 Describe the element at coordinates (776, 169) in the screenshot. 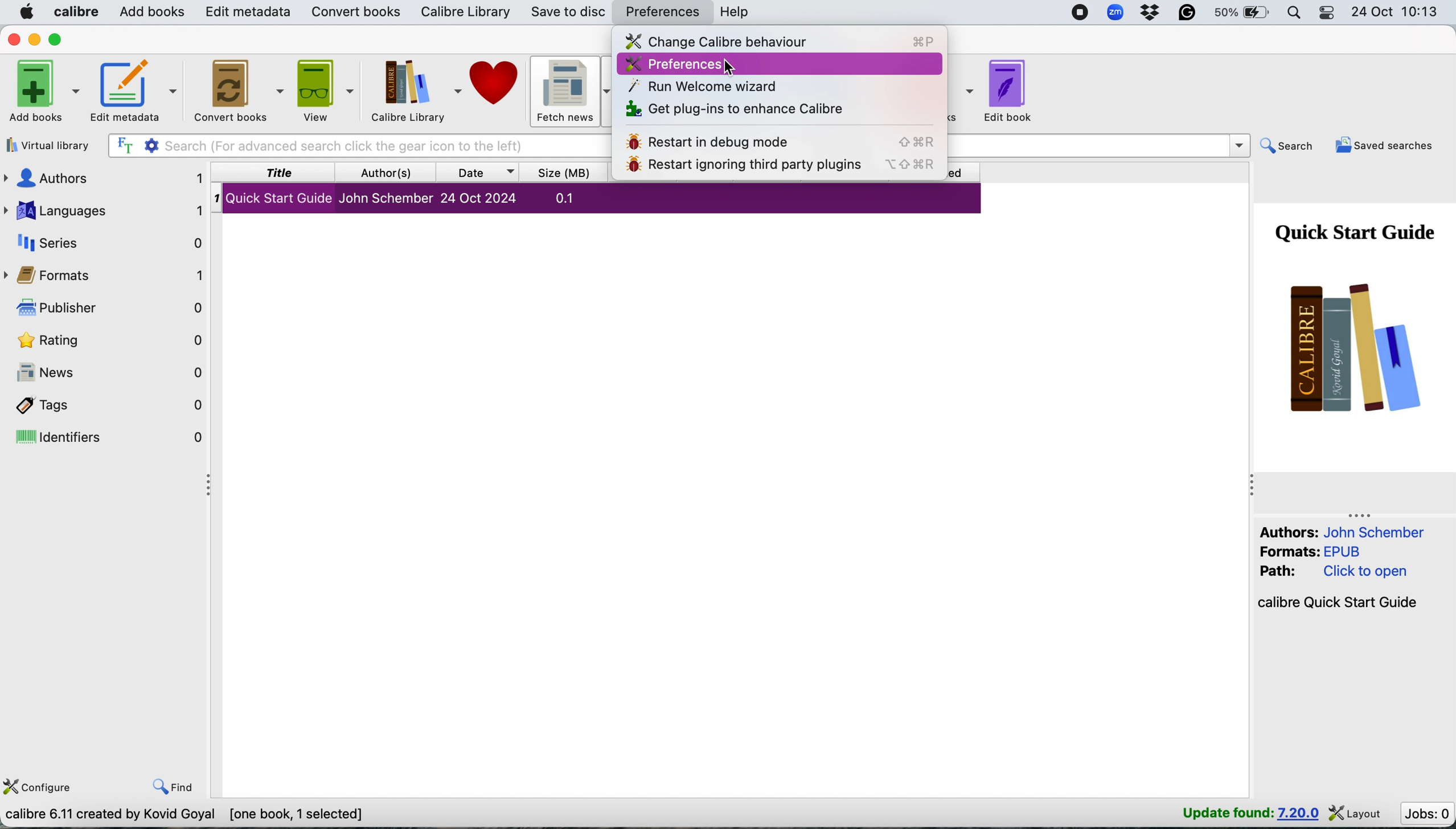

I see `restart ignoring third party plugins` at that location.